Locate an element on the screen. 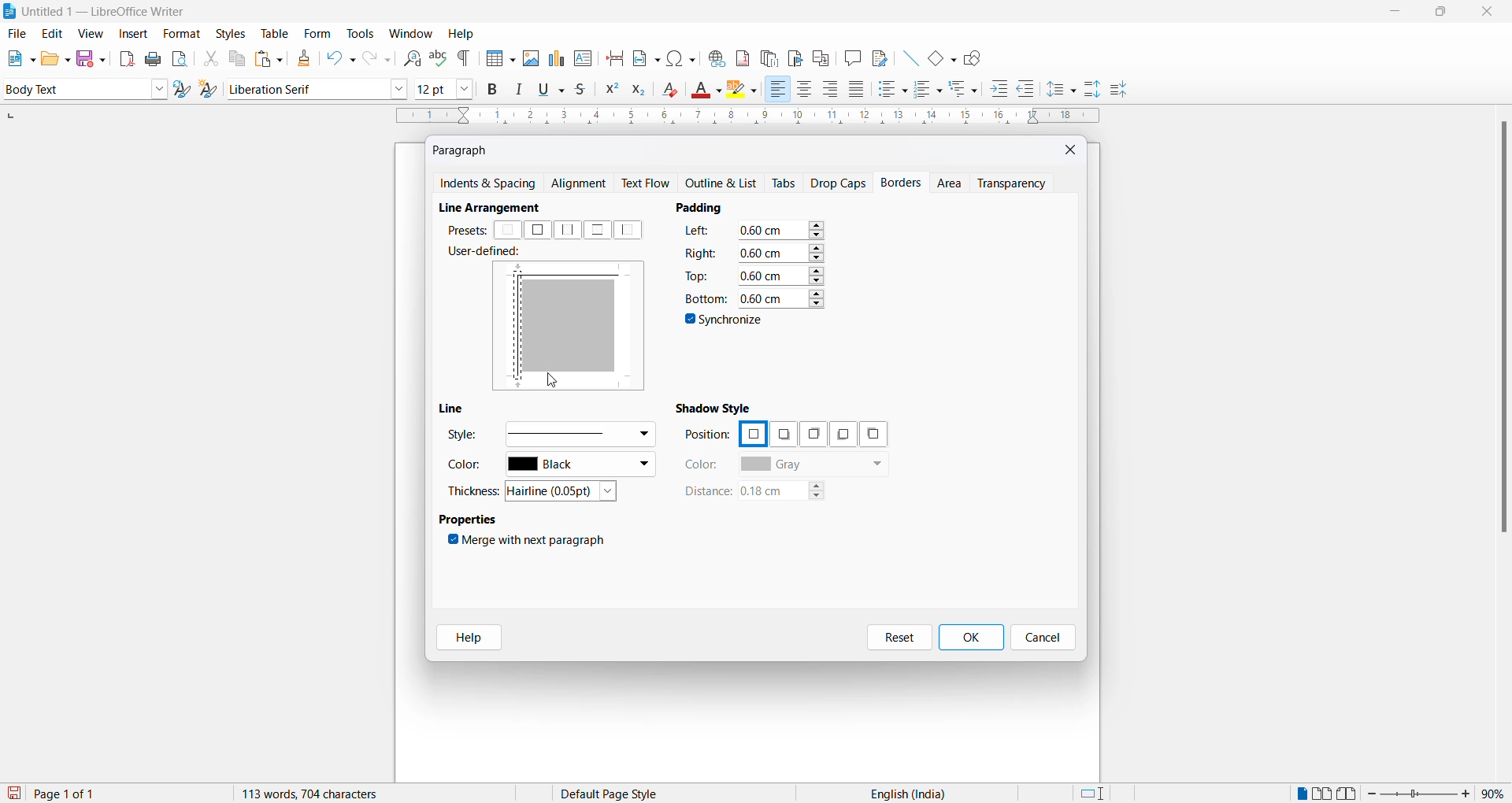 Image resolution: width=1512 pixels, height=803 pixels. insert comments is located at coordinates (849, 57).